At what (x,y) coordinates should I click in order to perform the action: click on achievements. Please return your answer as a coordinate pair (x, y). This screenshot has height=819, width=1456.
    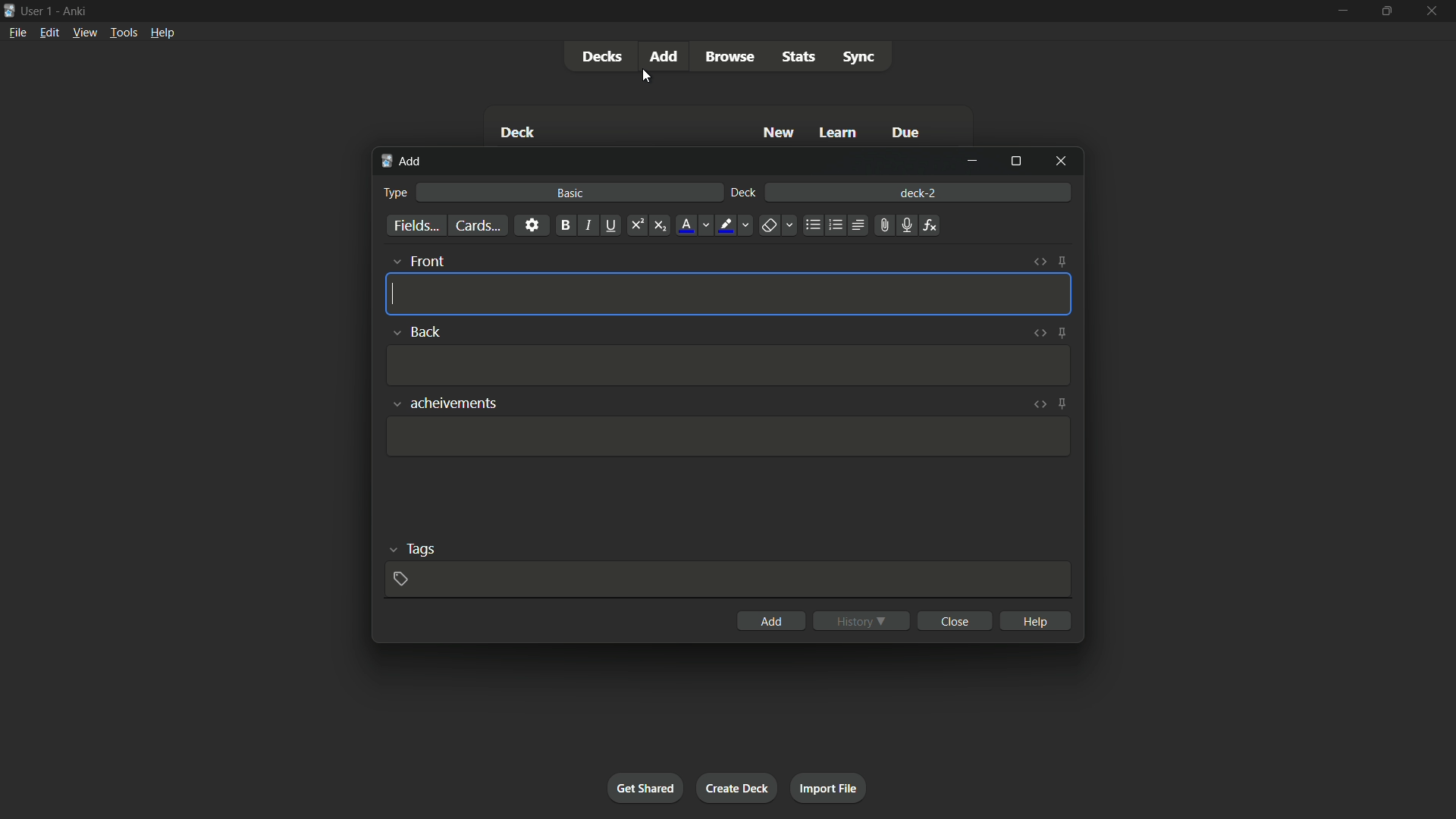
    Looking at the image, I should click on (444, 404).